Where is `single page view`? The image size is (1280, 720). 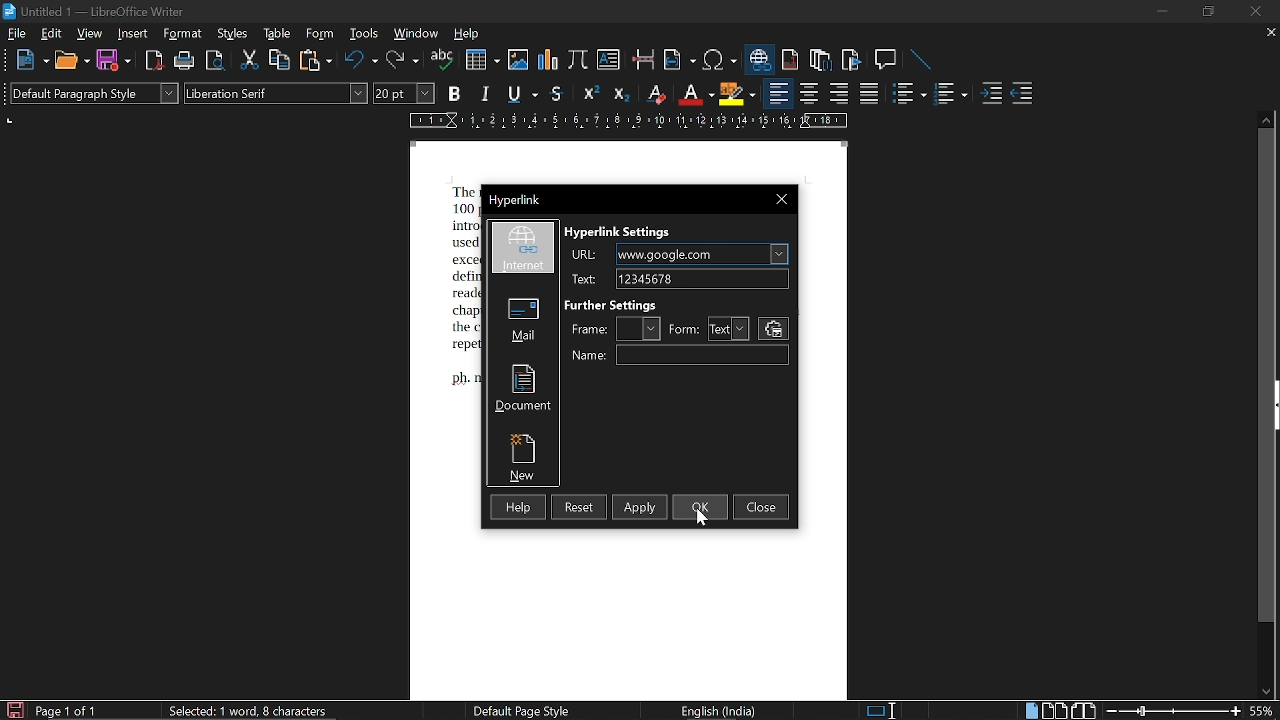
single page view is located at coordinates (1030, 710).